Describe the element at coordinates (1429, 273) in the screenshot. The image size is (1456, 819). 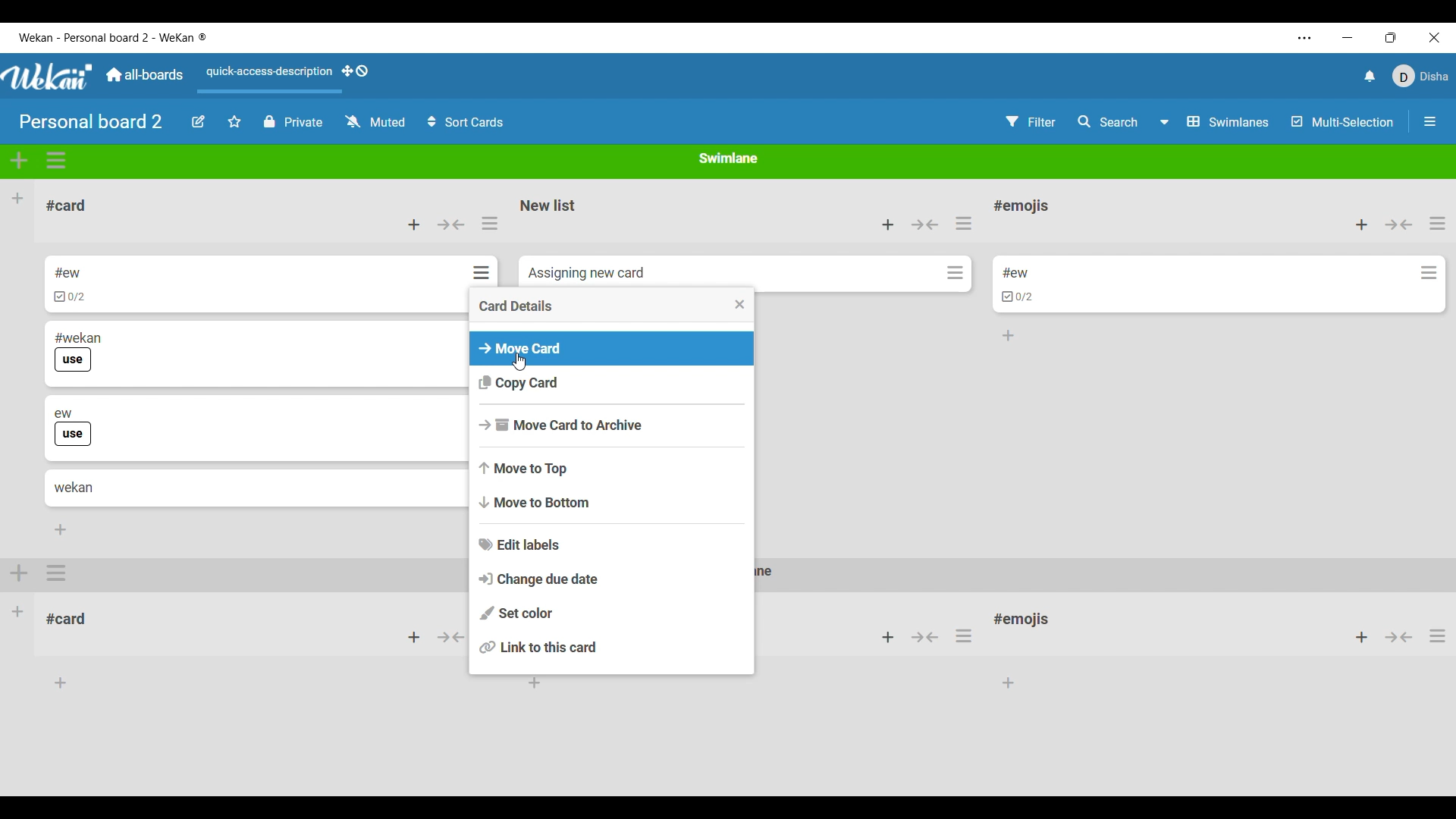
I see `Card actions` at that location.